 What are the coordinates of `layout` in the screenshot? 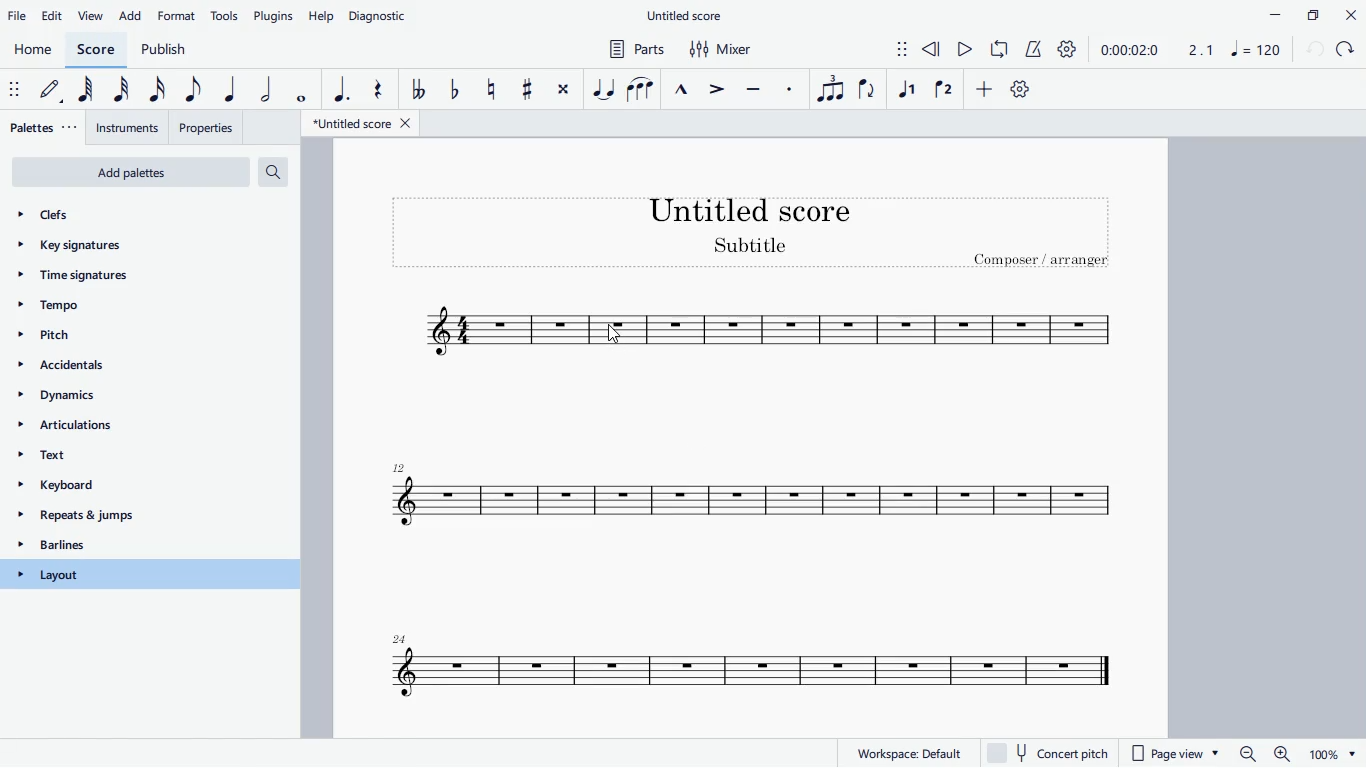 It's located at (135, 575).